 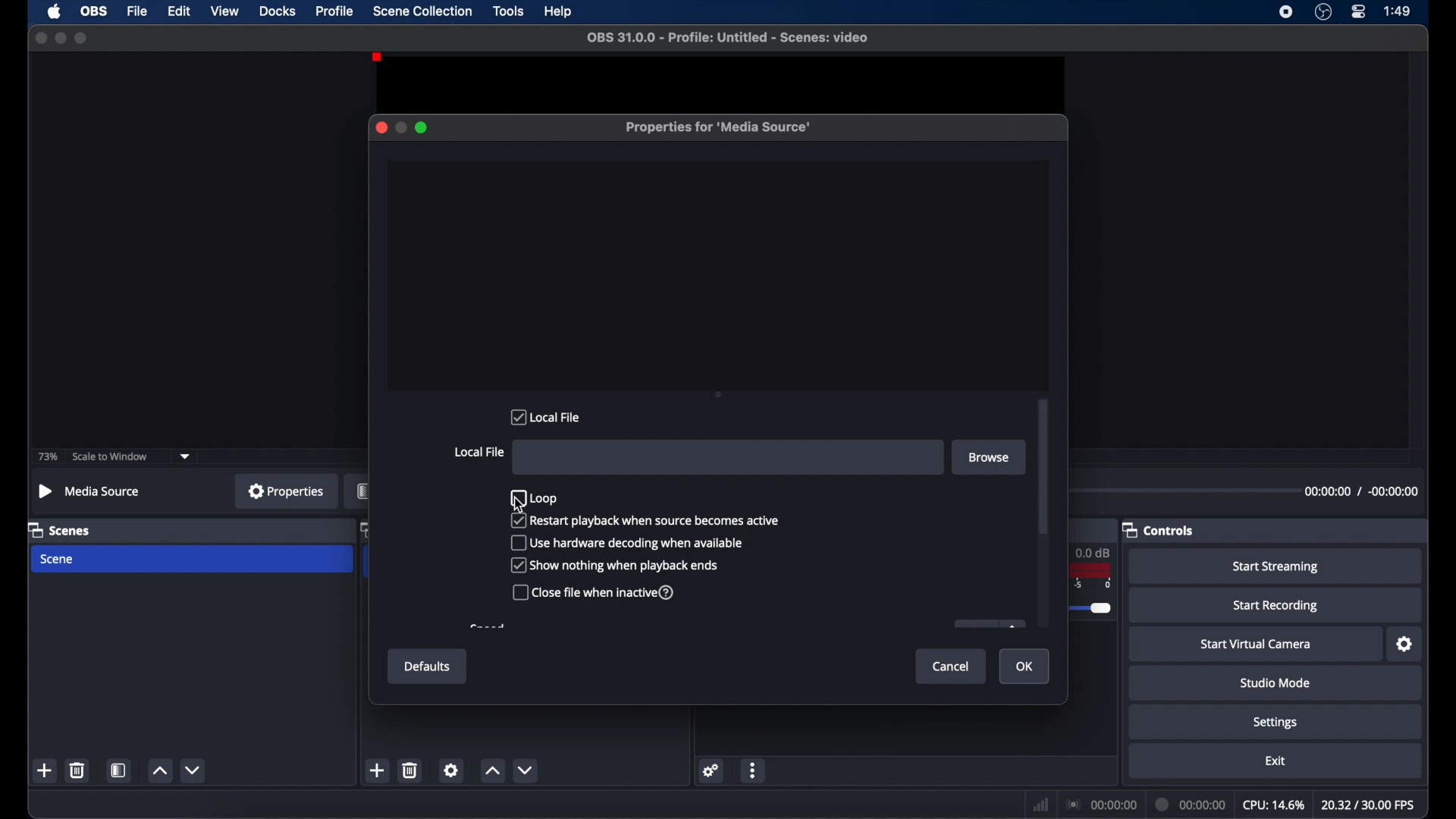 I want to click on help, so click(x=558, y=12).